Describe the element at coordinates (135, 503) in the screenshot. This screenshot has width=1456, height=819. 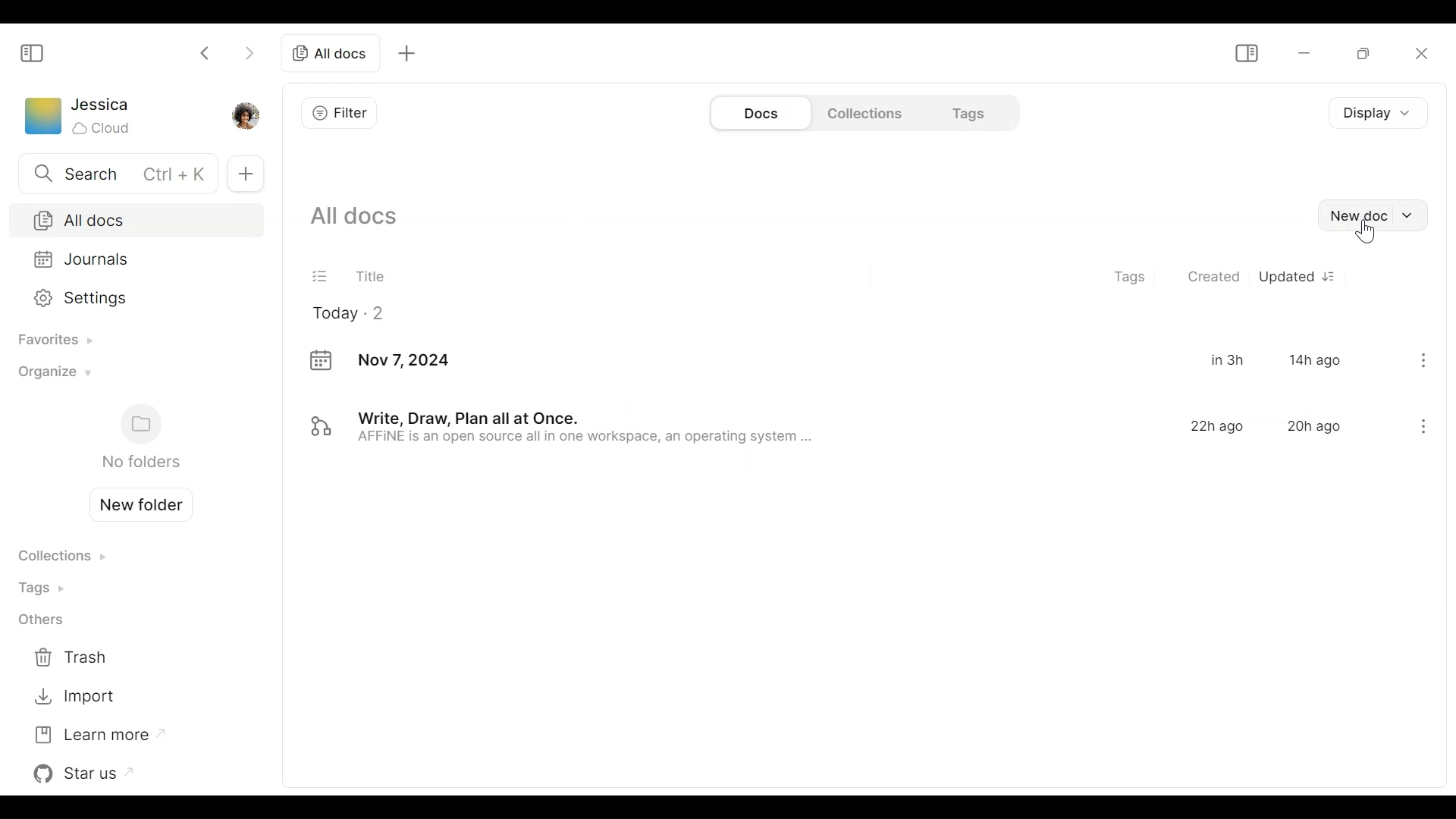
I see `Create new folder` at that location.